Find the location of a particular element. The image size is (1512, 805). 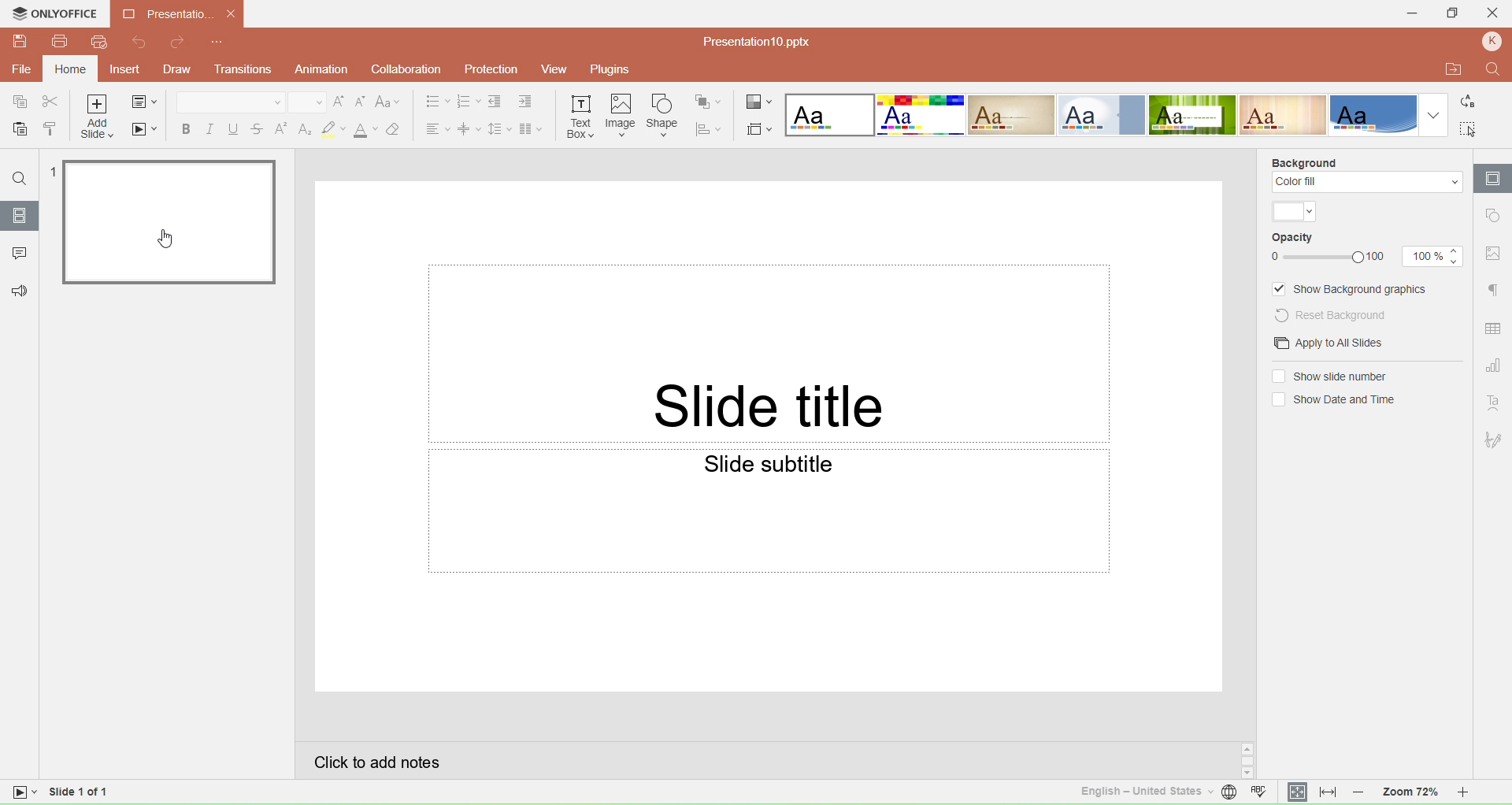

Fit to slide is located at coordinates (1297, 792).